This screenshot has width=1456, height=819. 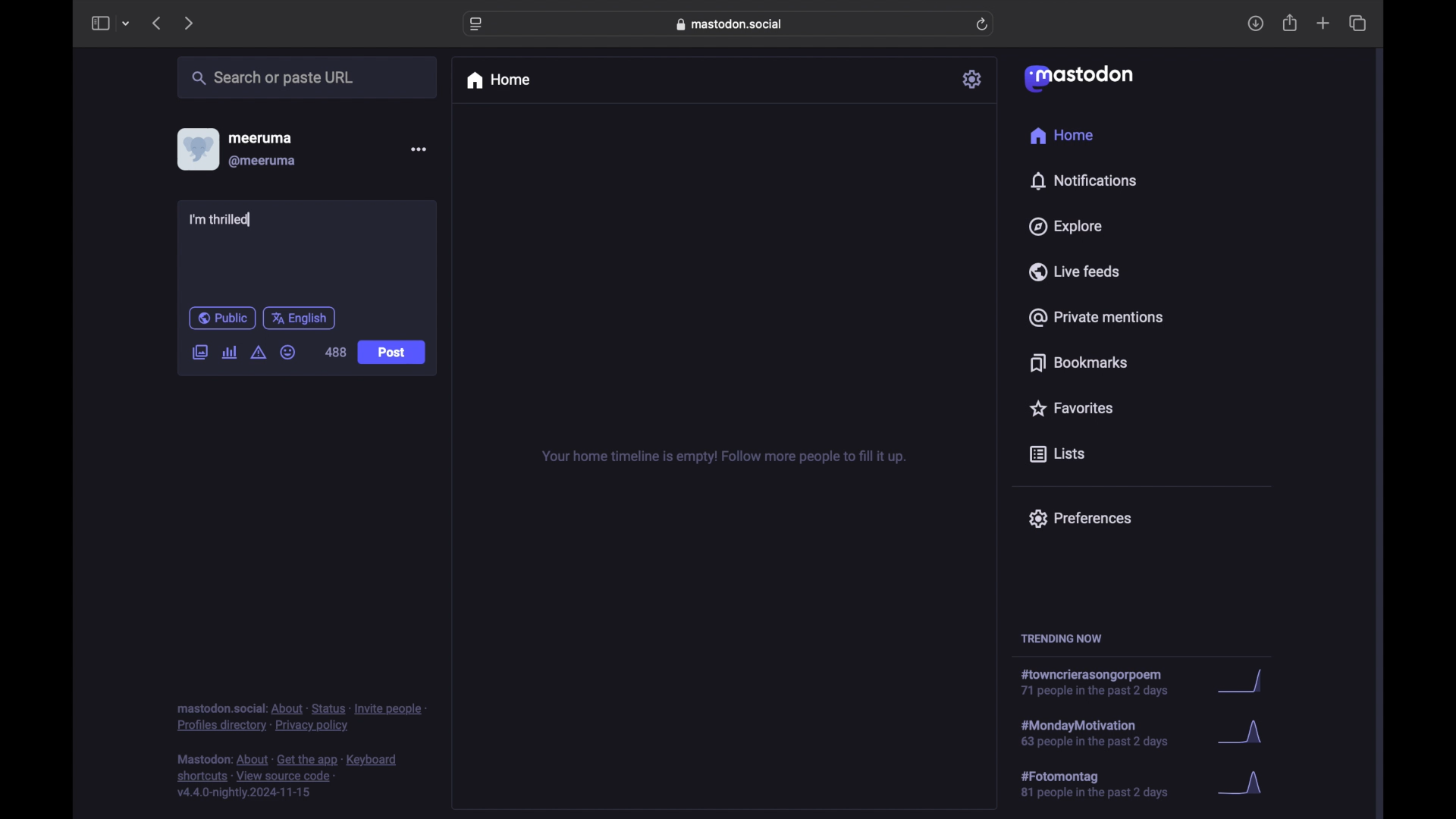 What do you see at coordinates (287, 352) in the screenshot?
I see `emoji` at bounding box center [287, 352].